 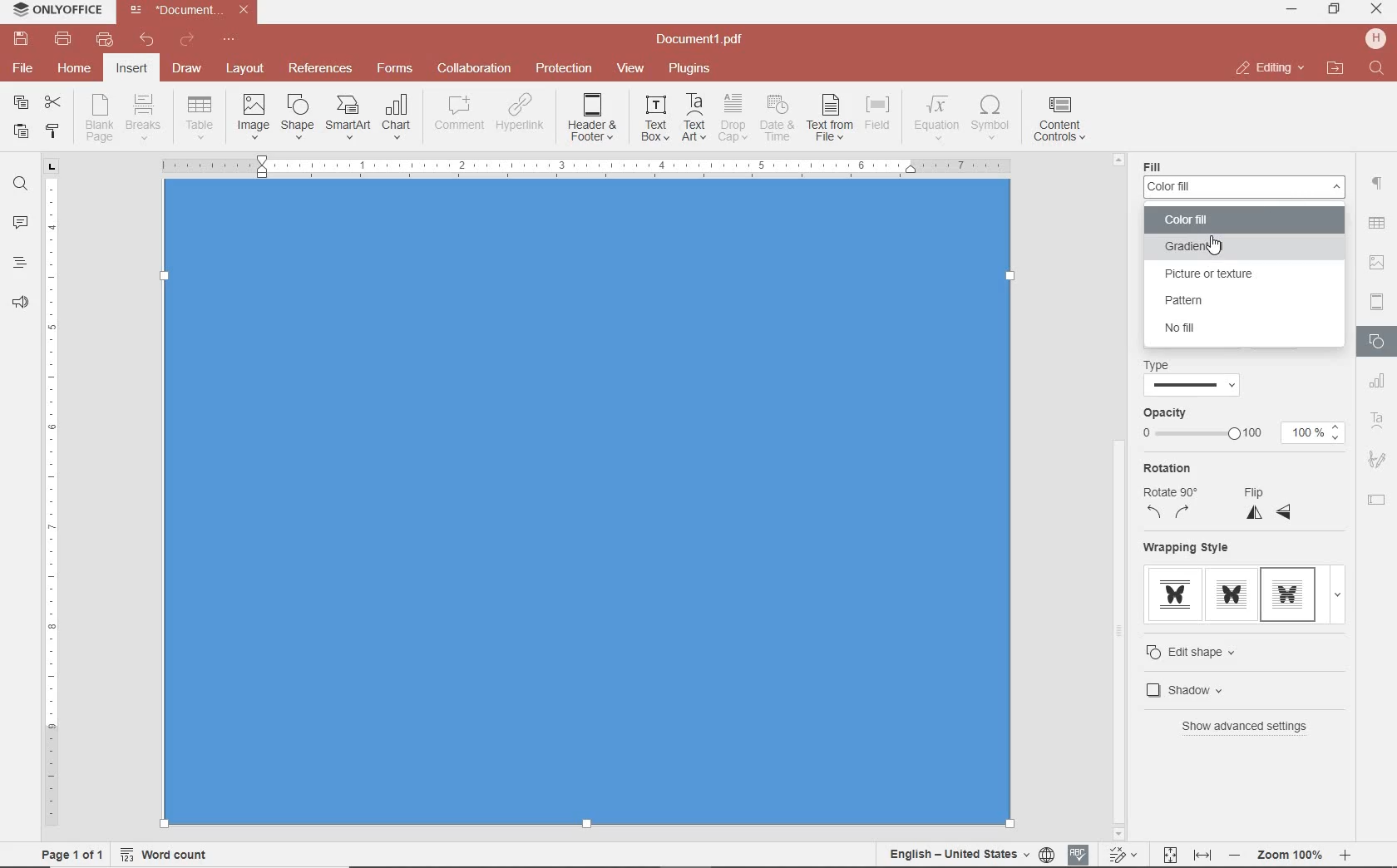 I want to click on INSERT CHAT, so click(x=397, y=118).